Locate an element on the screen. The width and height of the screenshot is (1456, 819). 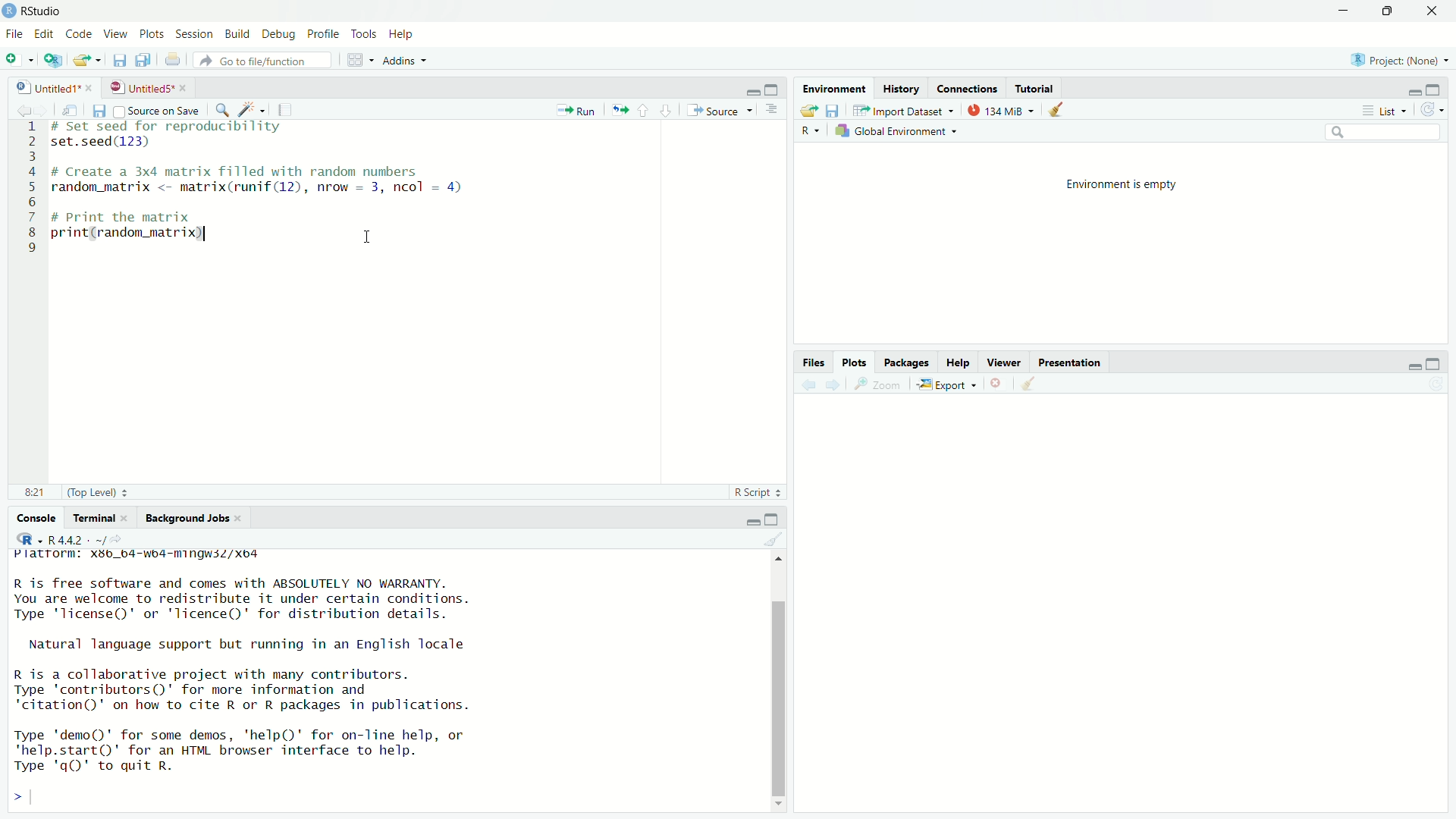
Source on Save is located at coordinates (156, 110).